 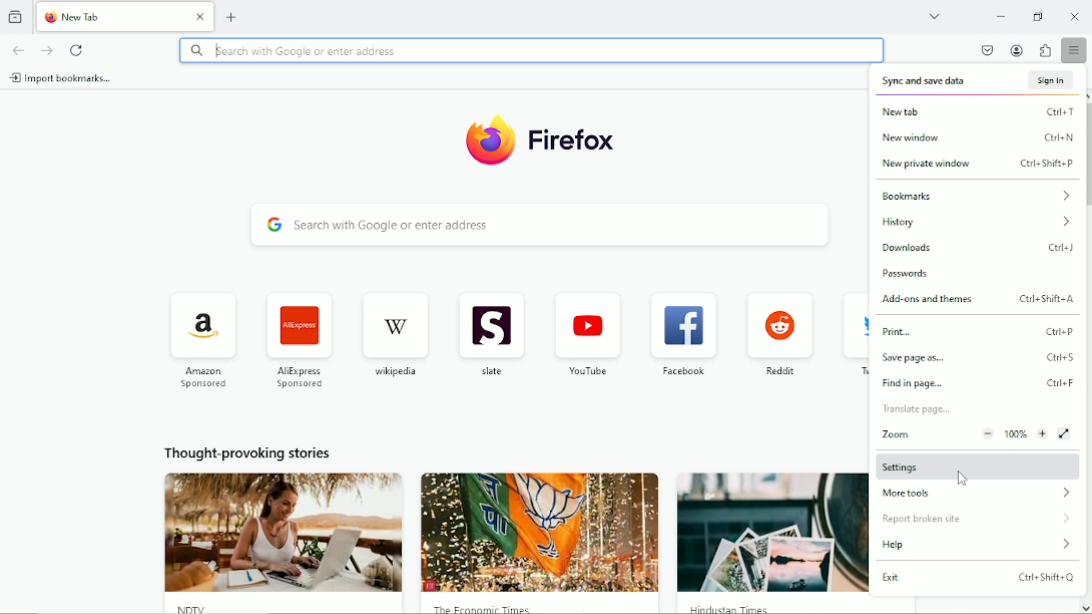 What do you see at coordinates (979, 196) in the screenshot?
I see `bookmarks` at bounding box center [979, 196].